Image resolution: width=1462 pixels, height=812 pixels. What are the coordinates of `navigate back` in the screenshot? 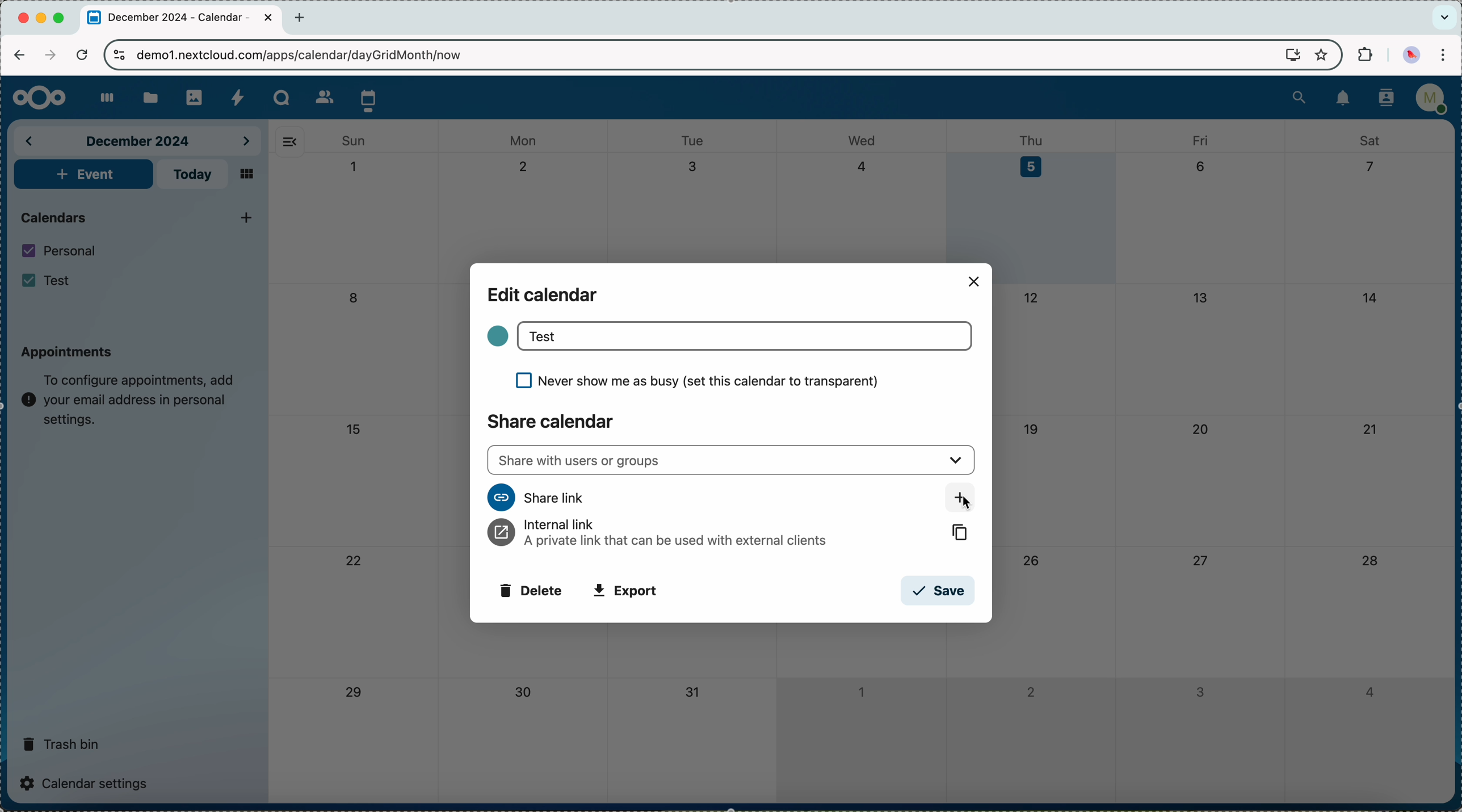 It's located at (19, 54).